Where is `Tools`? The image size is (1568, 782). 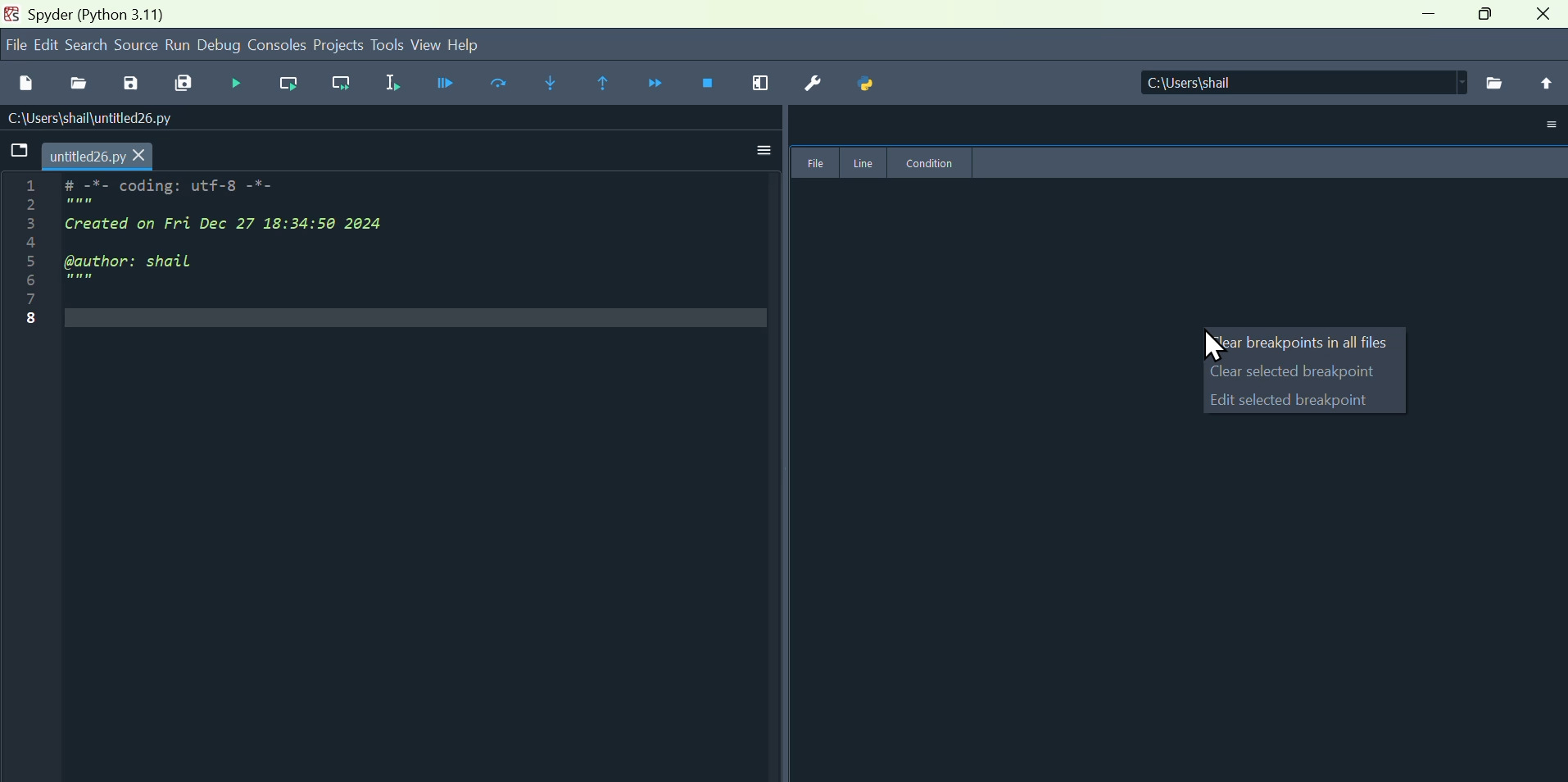
Tools is located at coordinates (386, 46).